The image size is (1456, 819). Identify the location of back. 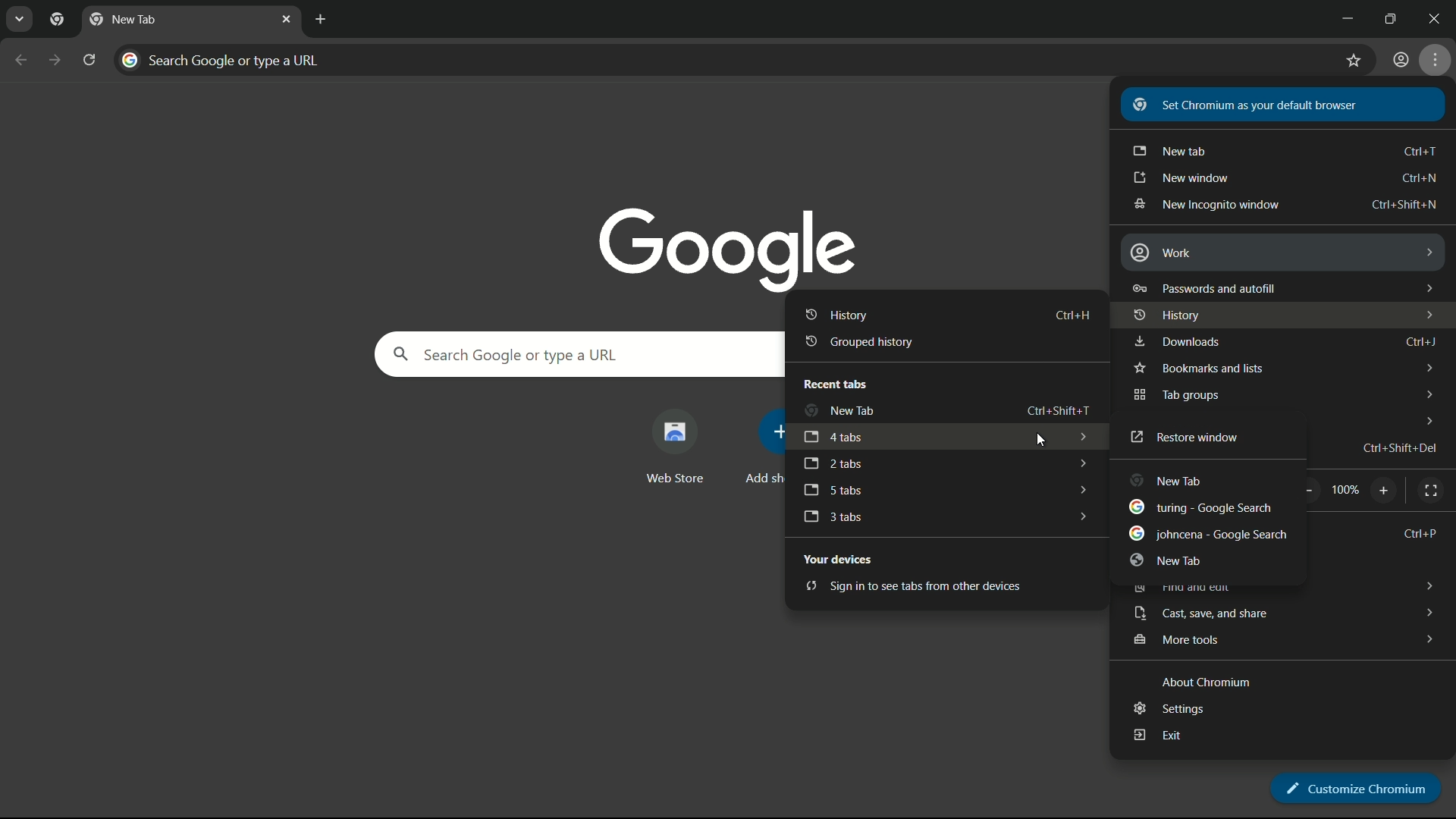
(22, 60).